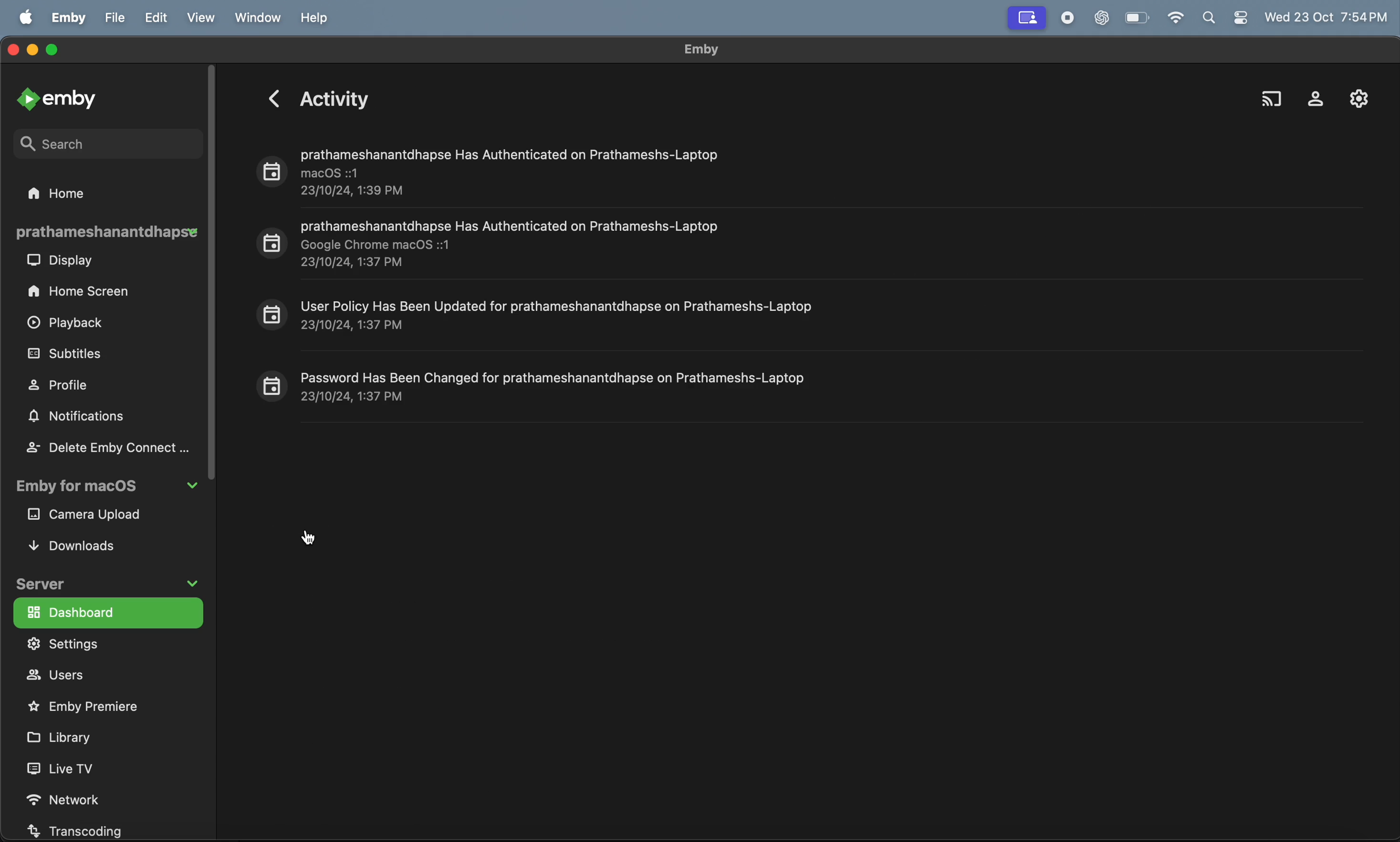  What do you see at coordinates (111, 580) in the screenshot?
I see `server` at bounding box center [111, 580].